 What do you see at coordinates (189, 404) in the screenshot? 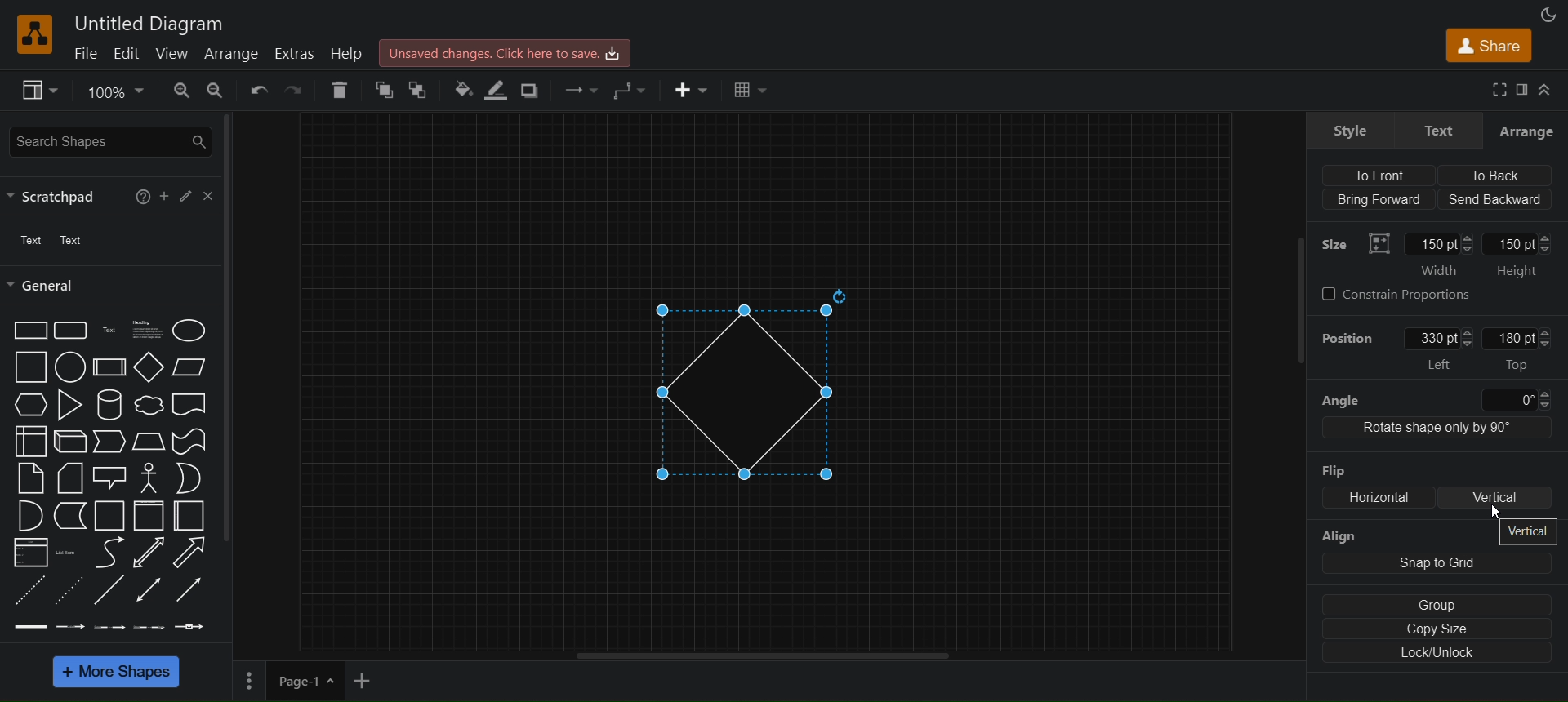
I see `document` at bounding box center [189, 404].